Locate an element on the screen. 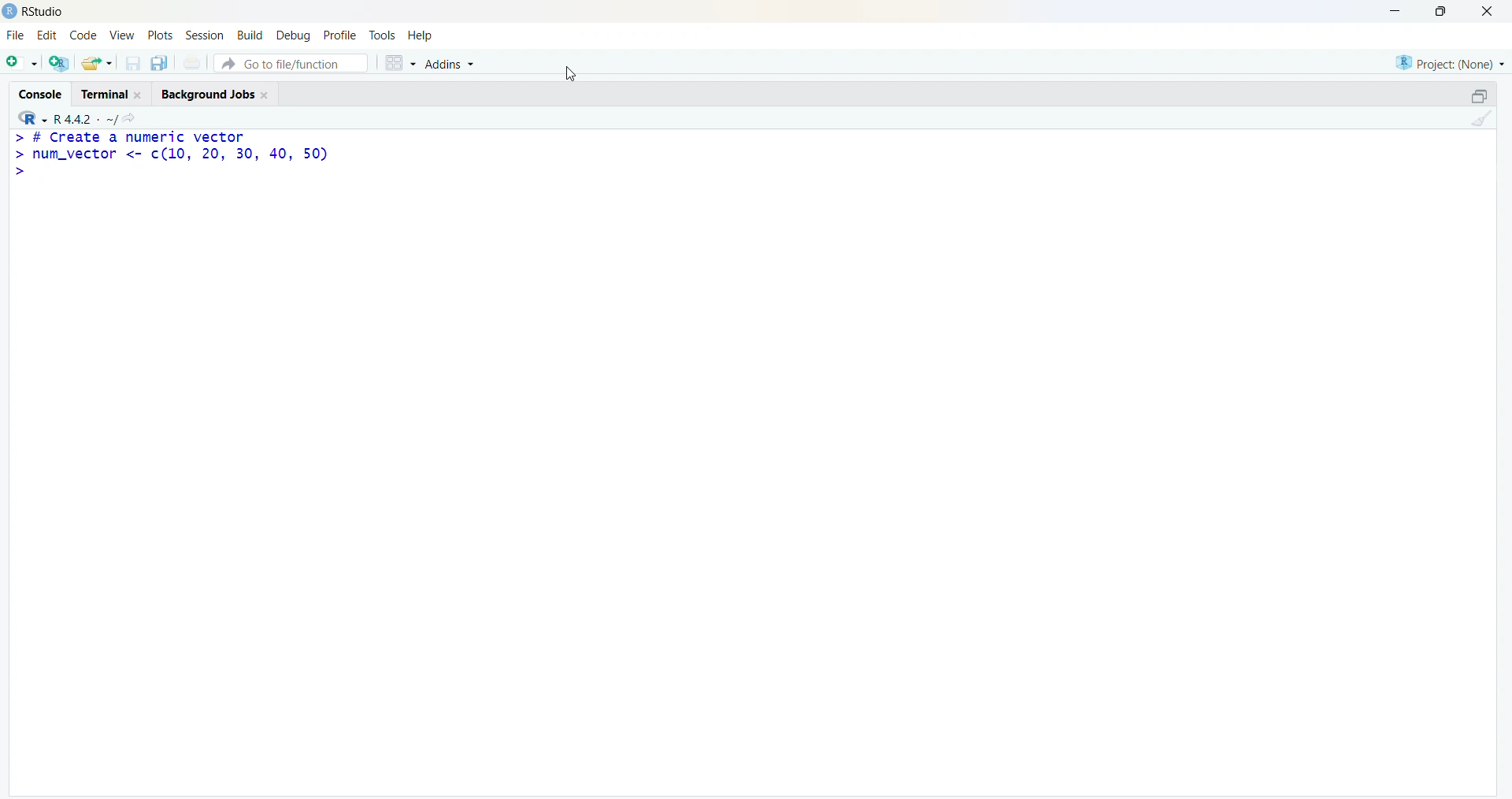  close is located at coordinates (265, 95).